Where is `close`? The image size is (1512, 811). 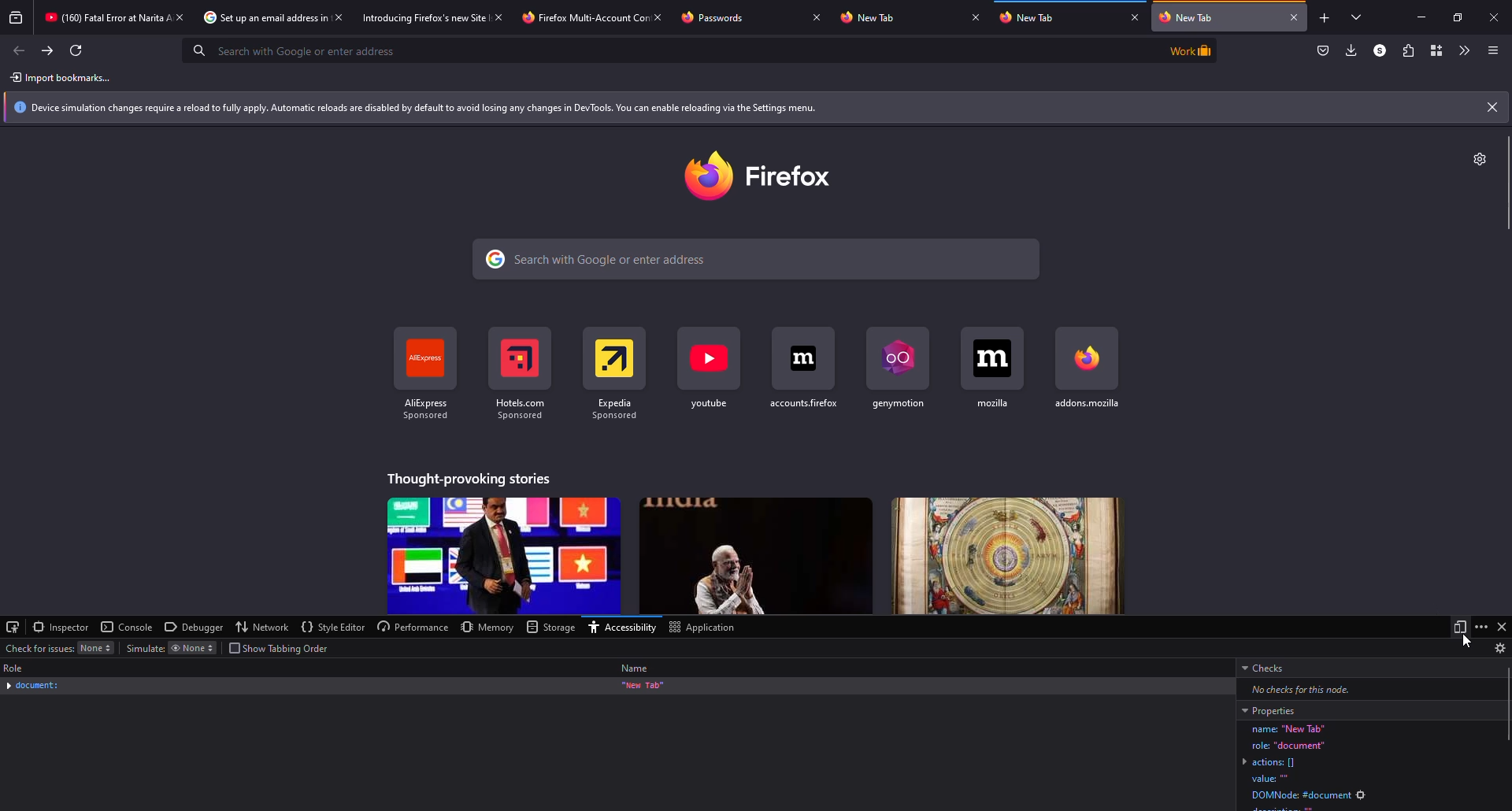 close is located at coordinates (1295, 17).